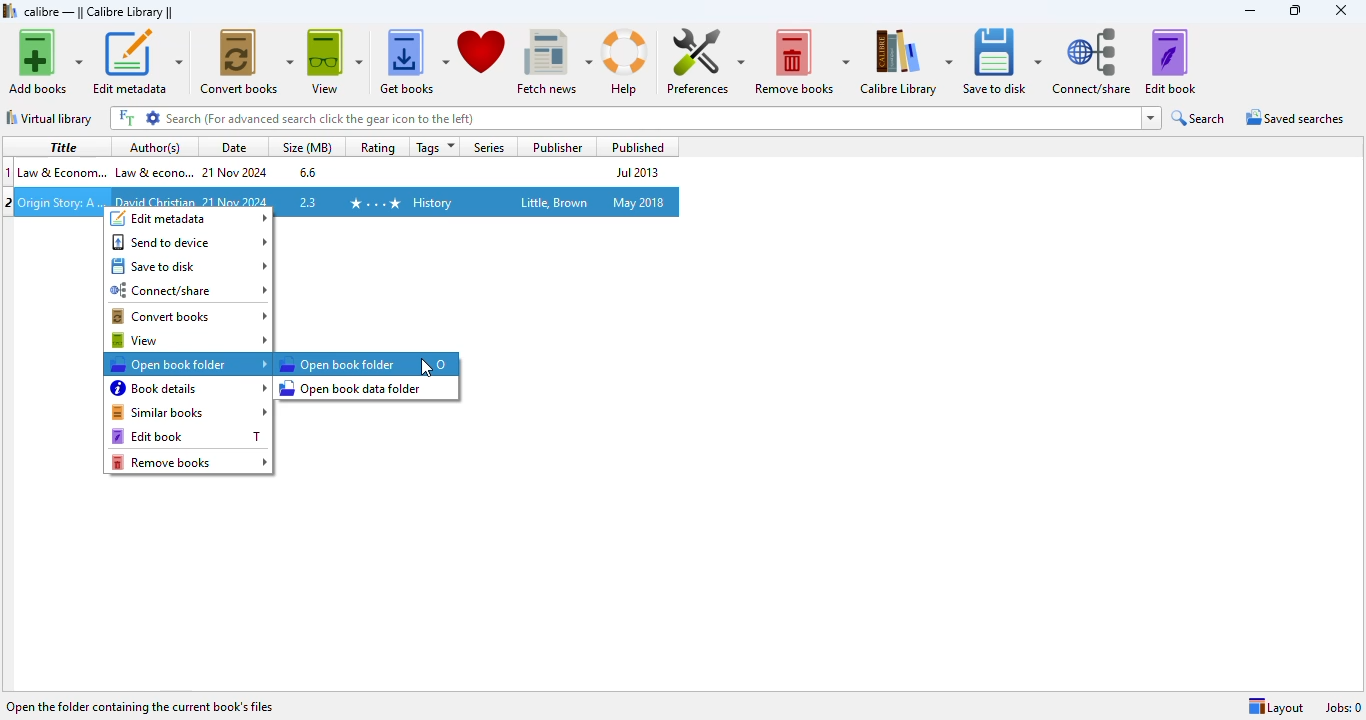 This screenshot has width=1366, height=720. Describe the element at coordinates (558, 147) in the screenshot. I see `publisher` at that location.